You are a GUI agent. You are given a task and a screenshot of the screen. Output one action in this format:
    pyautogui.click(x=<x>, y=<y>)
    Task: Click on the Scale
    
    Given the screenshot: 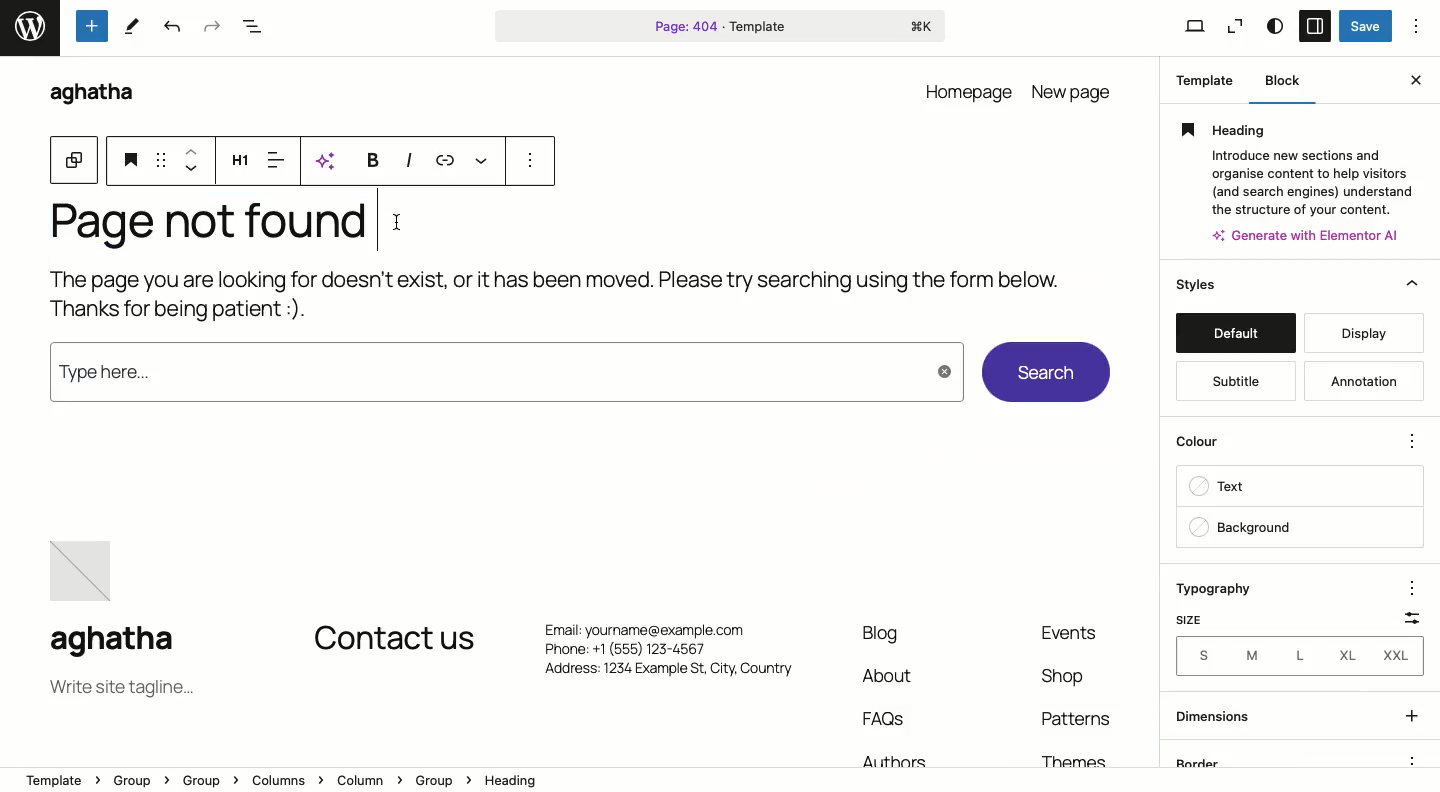 What is the action you would take?
    pyautogui.click(x=1406, y=622)
    